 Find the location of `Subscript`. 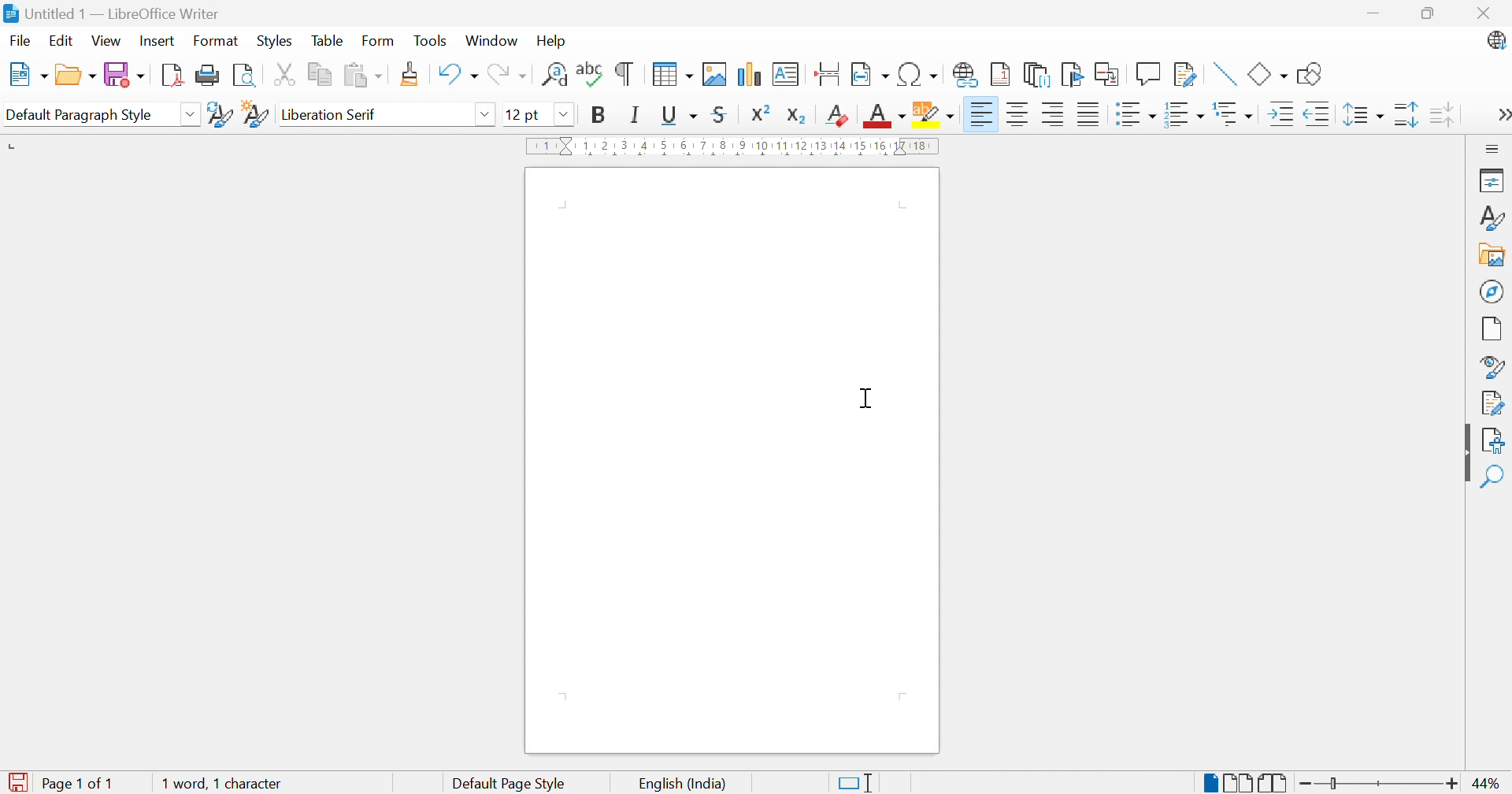

Subscript is located at coordinates (797, 117).